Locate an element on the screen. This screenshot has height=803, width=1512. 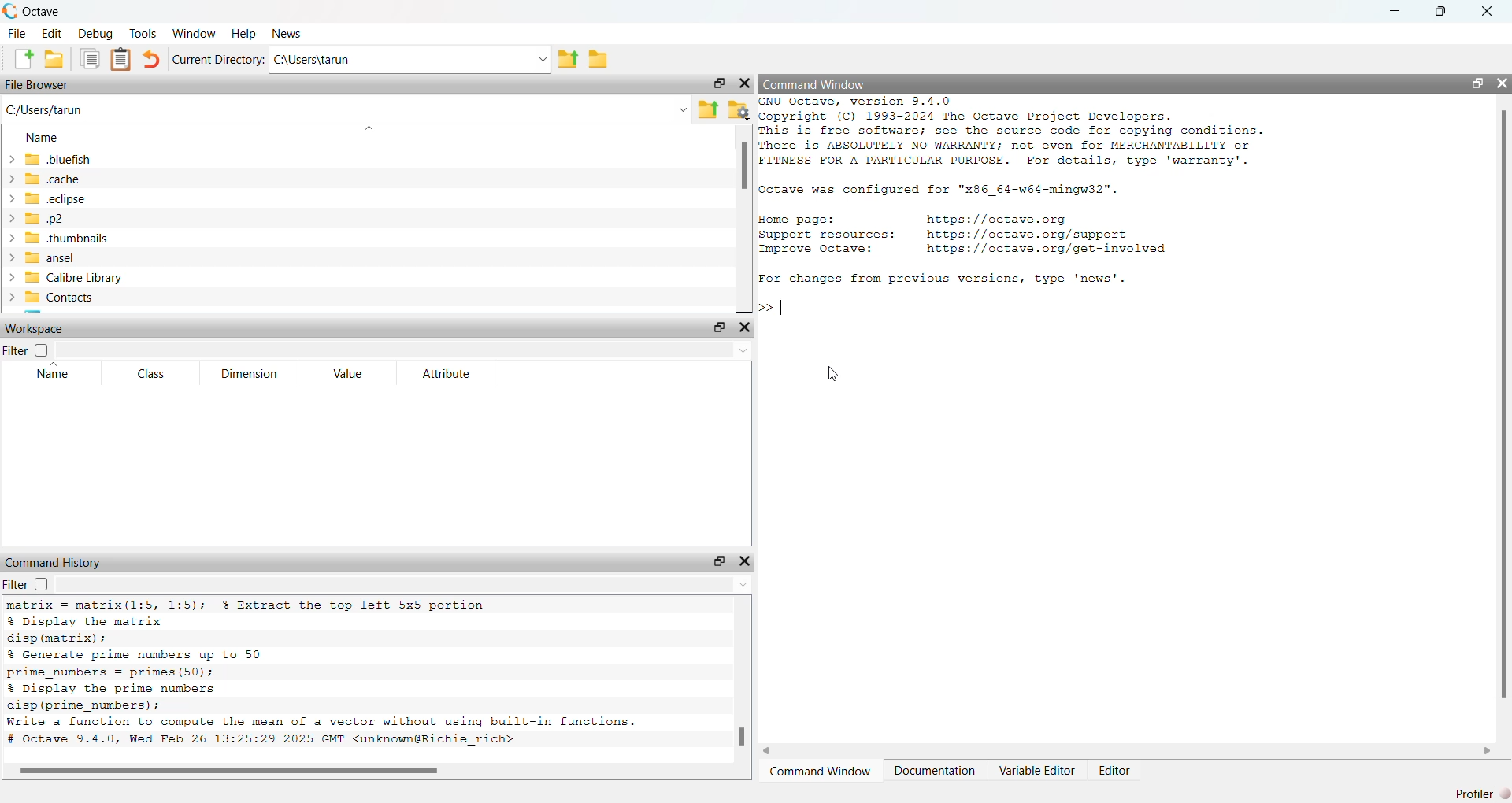
typing indicator is located at coordinates (784, 306).